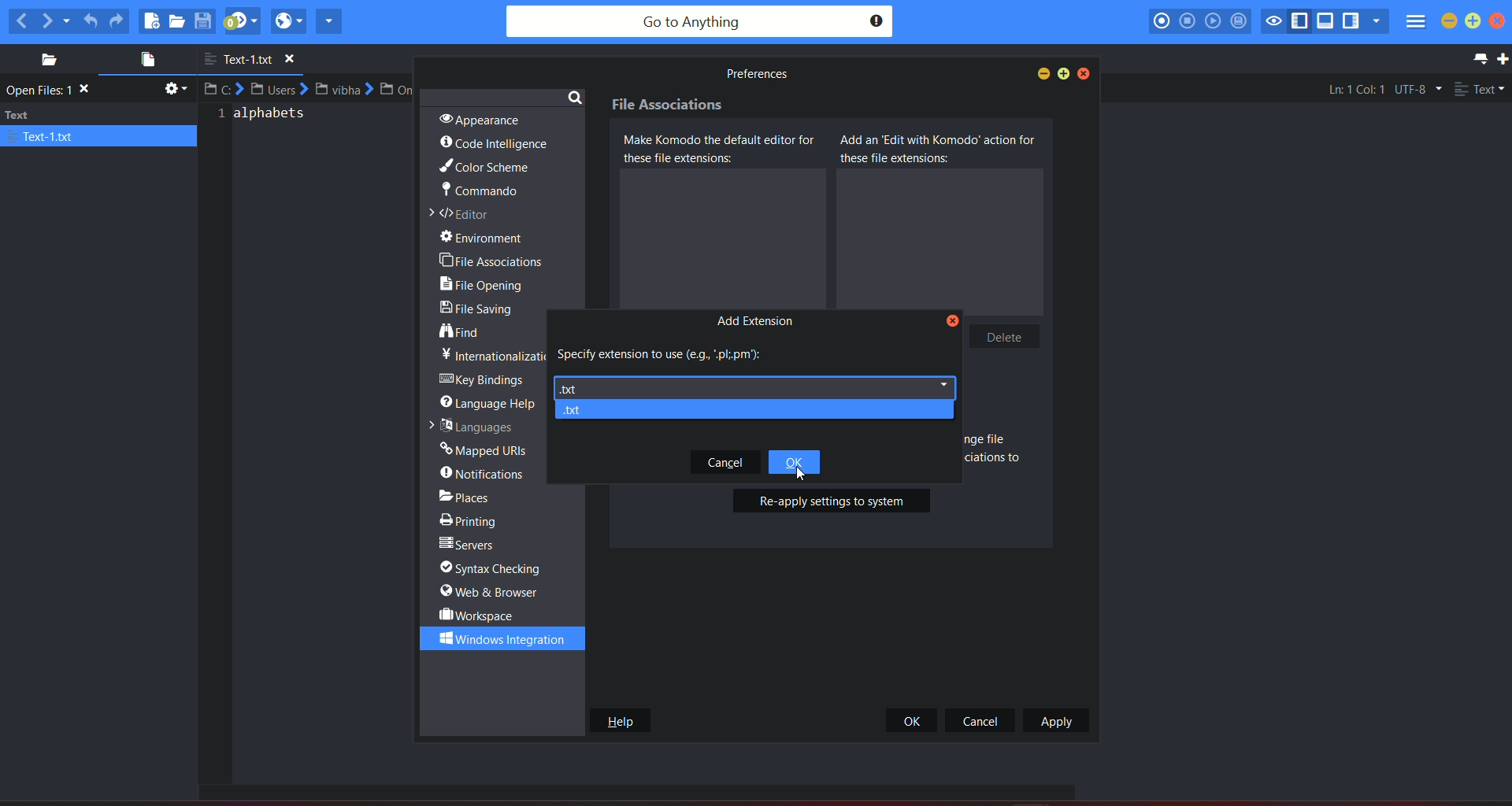 This screenshot has height=806, width=1512. I want to click on web & browser, so click(491, 592).